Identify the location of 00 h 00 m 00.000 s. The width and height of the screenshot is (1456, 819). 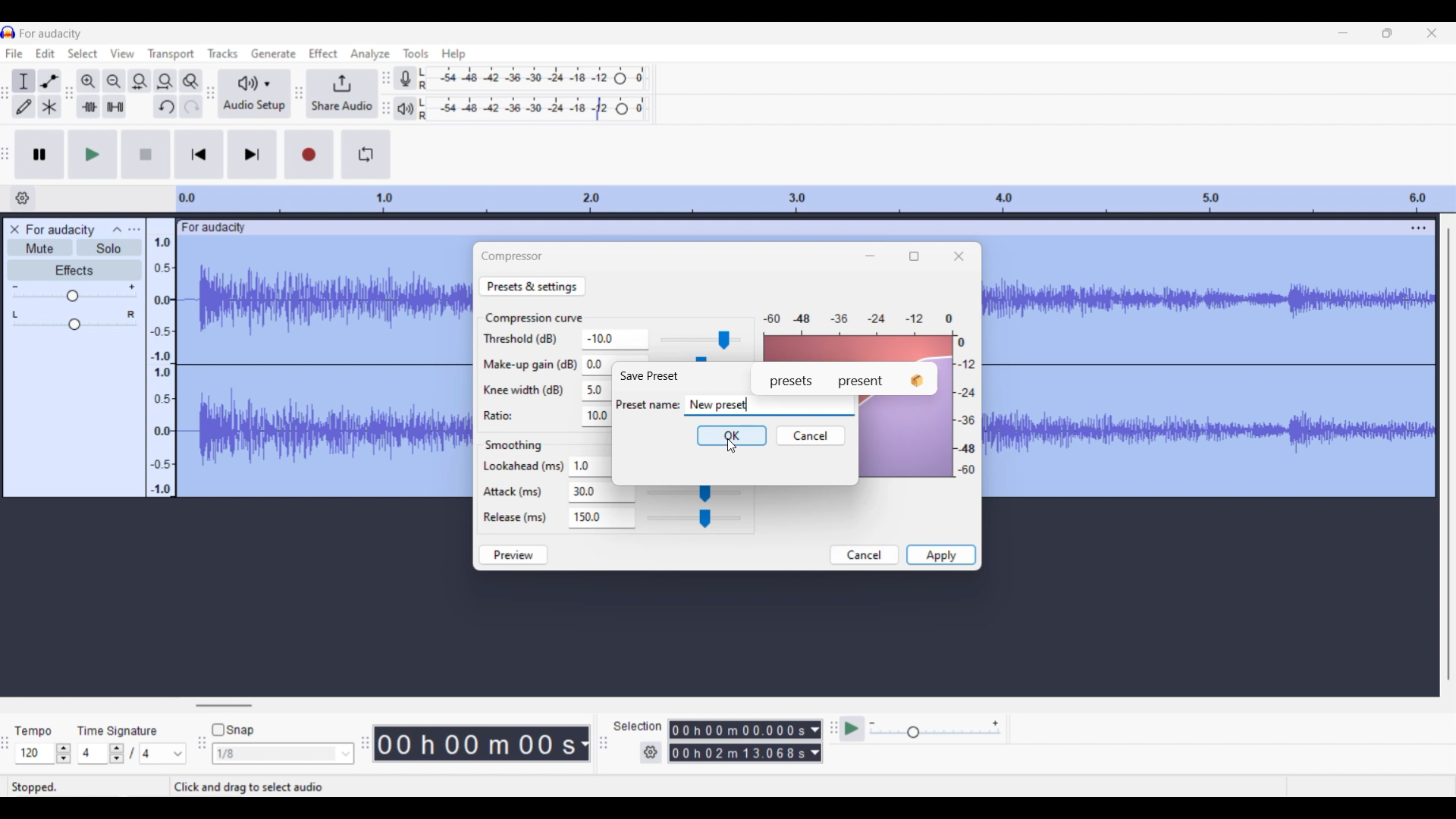
(738, 742).